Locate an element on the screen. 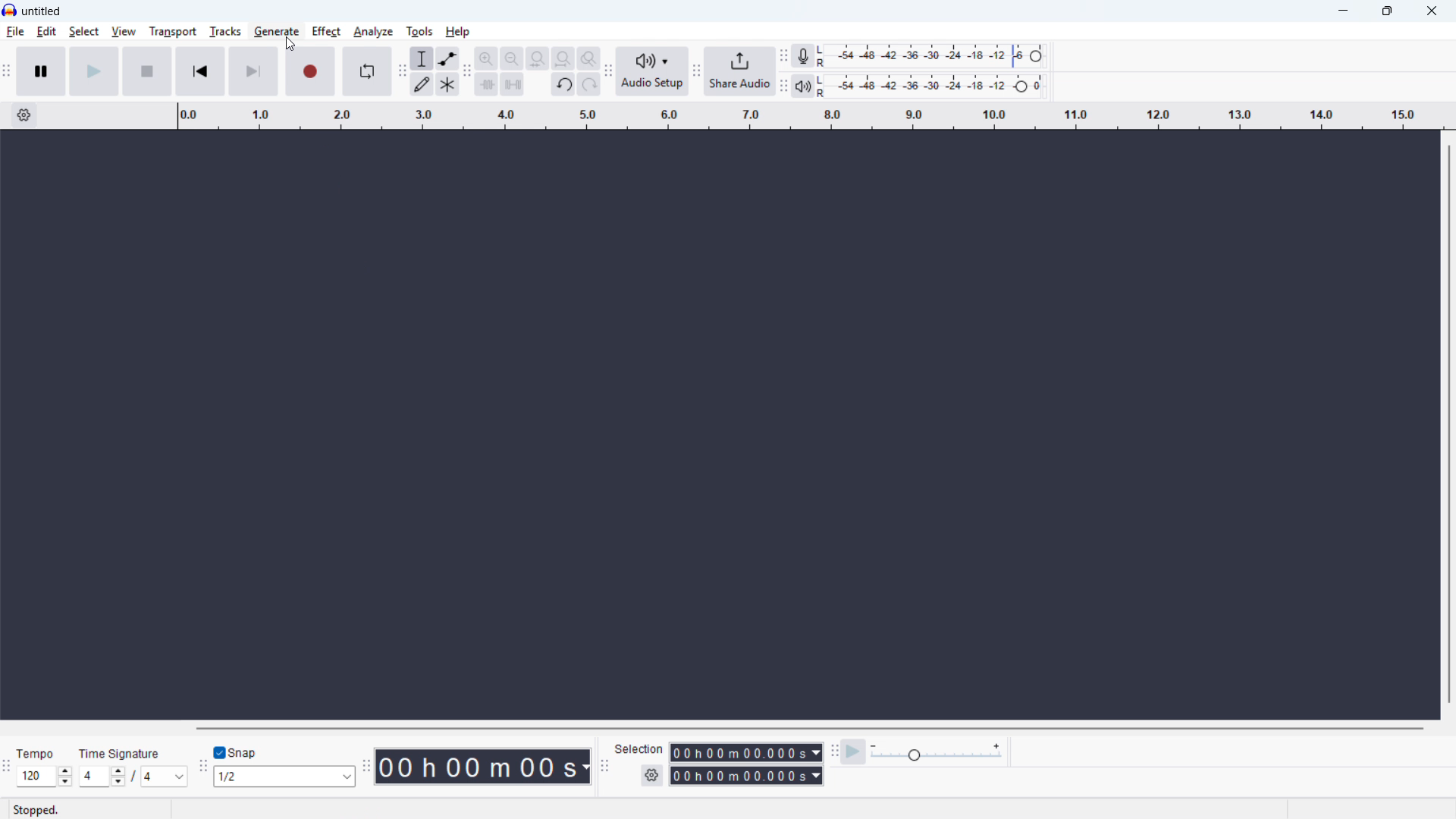  Selection end time is located at coordinates (746, 776).